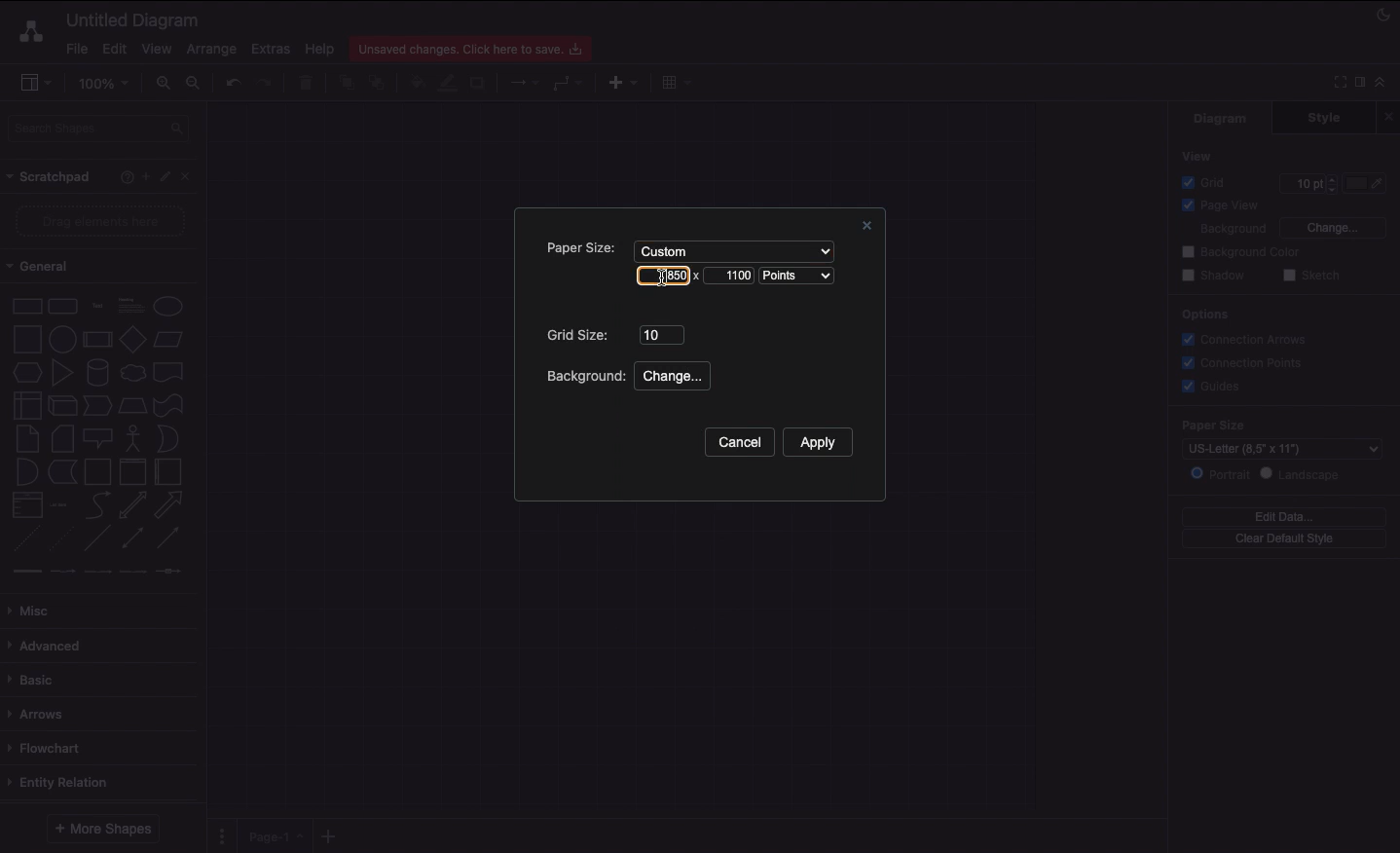 Image resolution: width=1400 pixels, height=853 pixels. What do you see at coordinates (218, 836) in the screenshot?
I see `Pages` at bounding box center [218, 836].